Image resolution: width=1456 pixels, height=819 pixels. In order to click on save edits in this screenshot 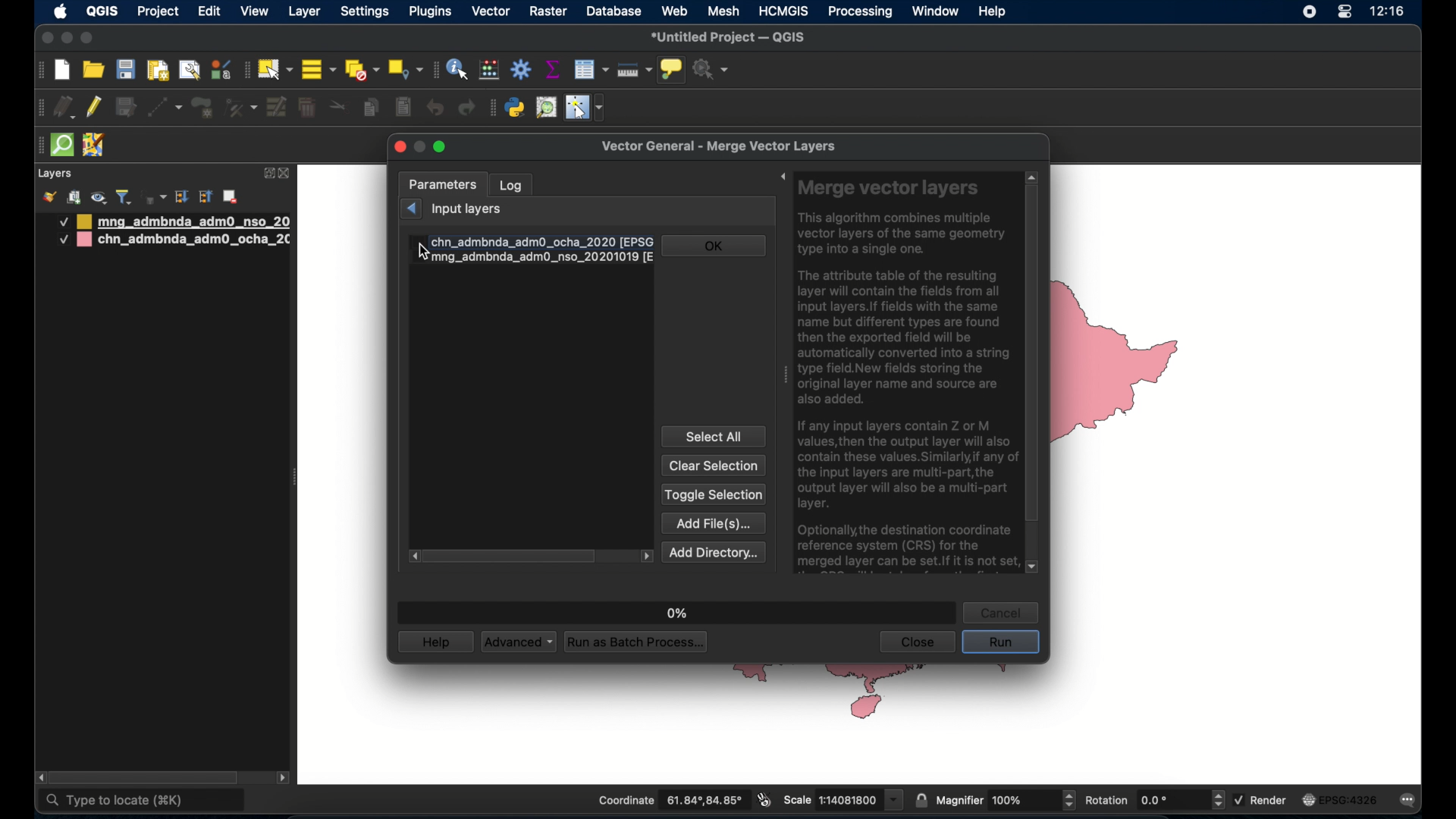, I will do `click(125, 108)`.